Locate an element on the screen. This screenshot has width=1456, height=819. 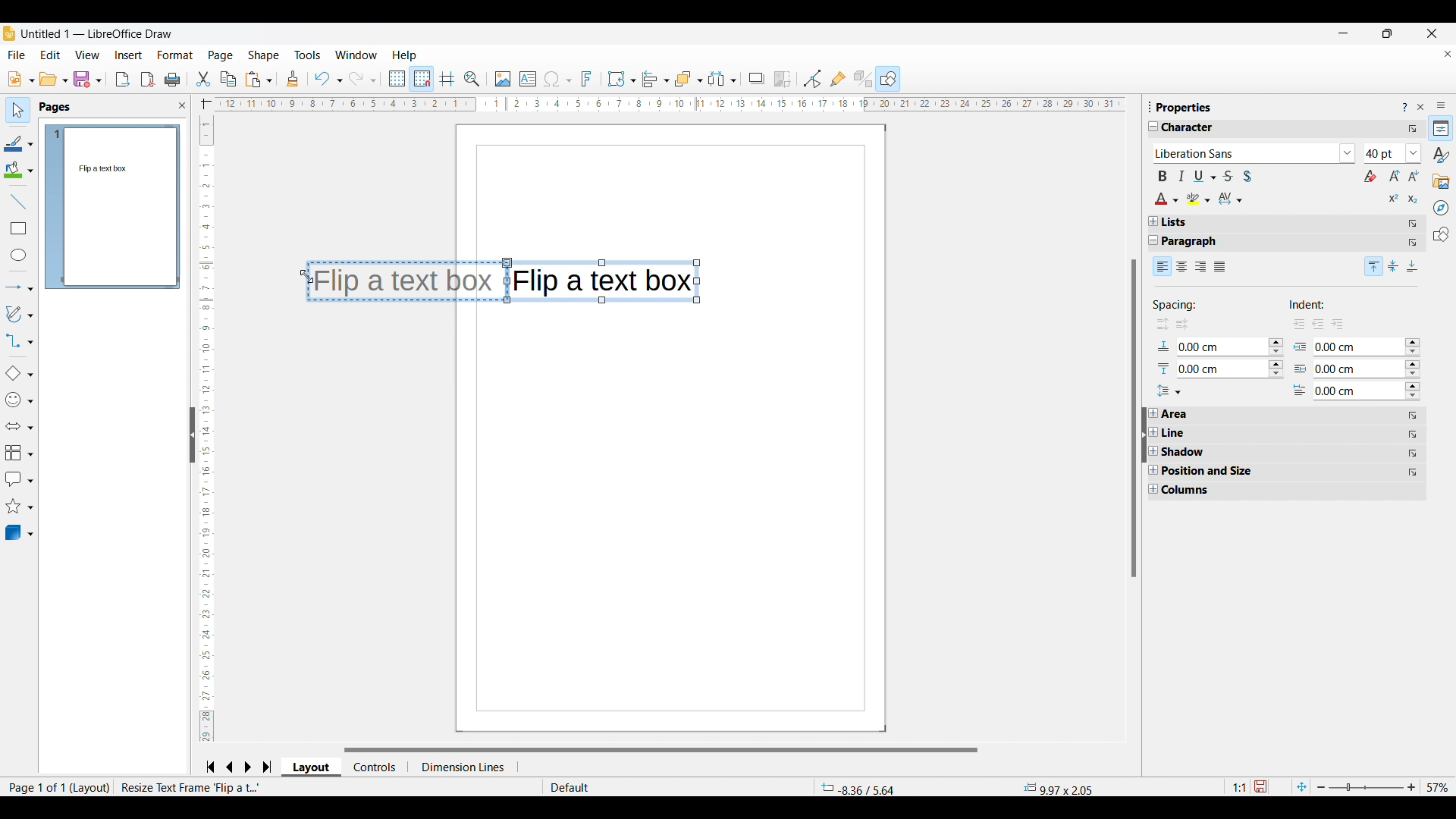
Change respective spacing attribute is located at coordinates (1276, 358).